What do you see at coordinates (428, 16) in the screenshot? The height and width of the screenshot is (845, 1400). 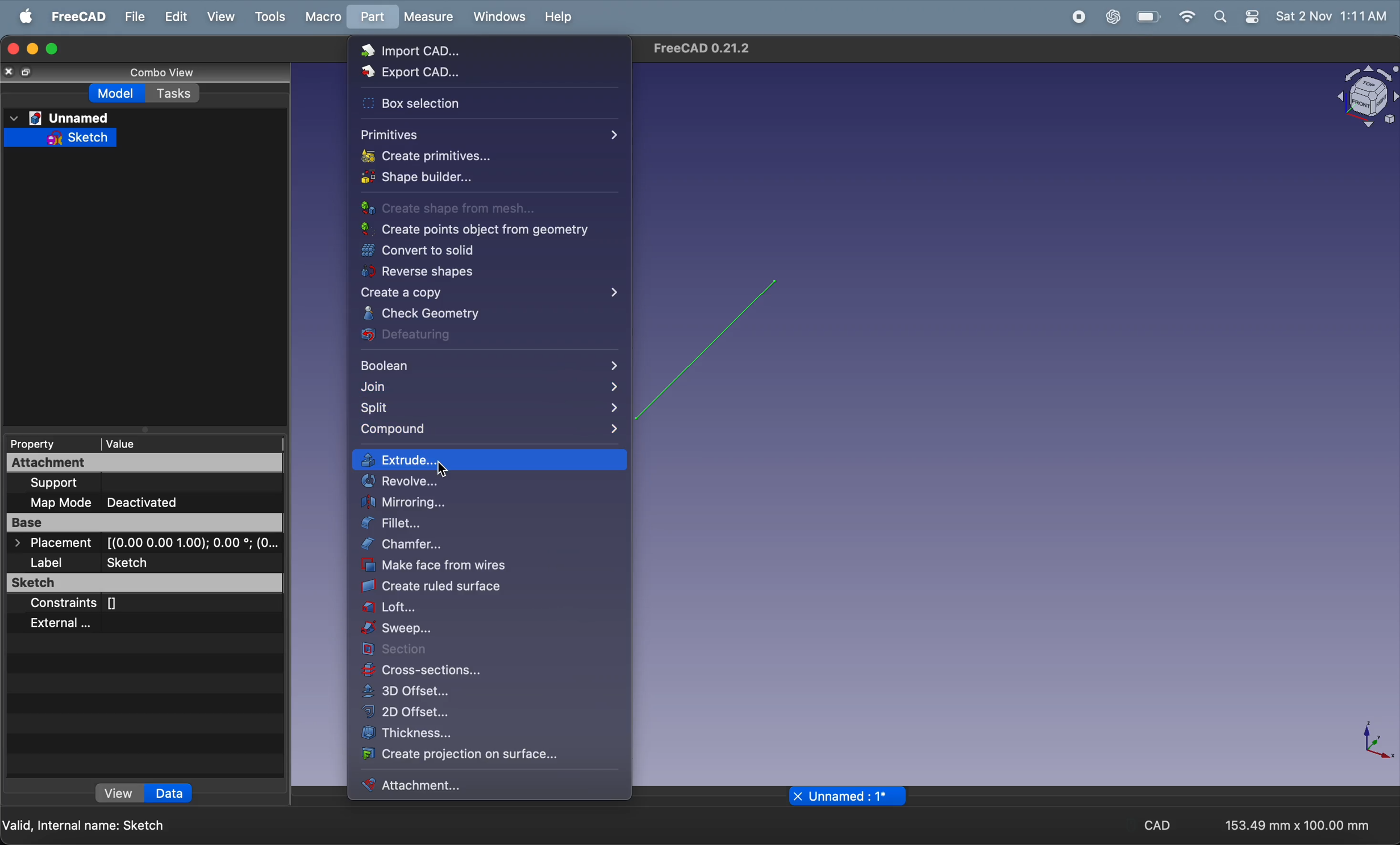 I see `measure` at bounding box center [428, 16].